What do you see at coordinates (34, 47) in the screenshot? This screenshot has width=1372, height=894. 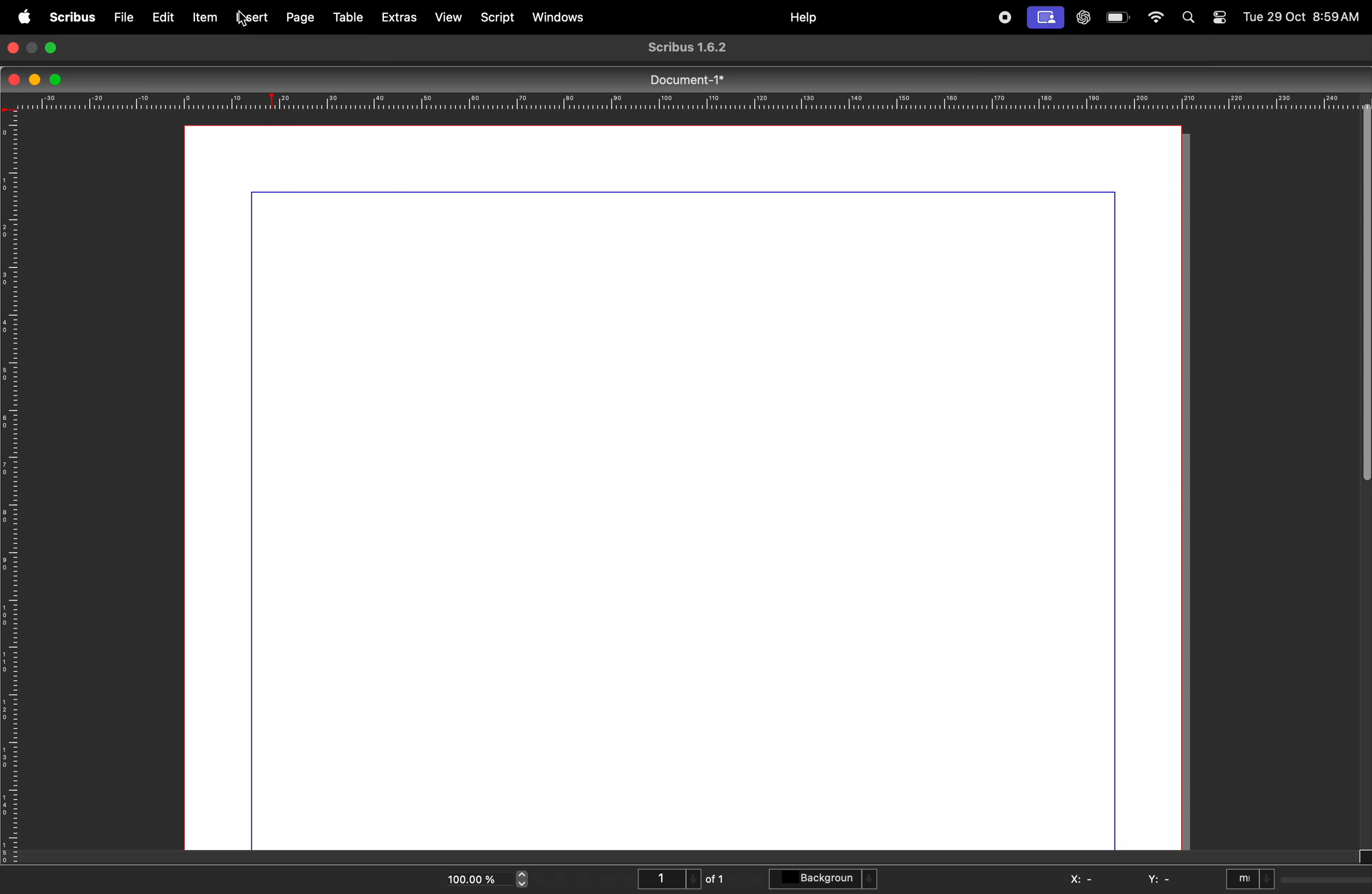 I see `minimize` at bounding box center [34, 47].